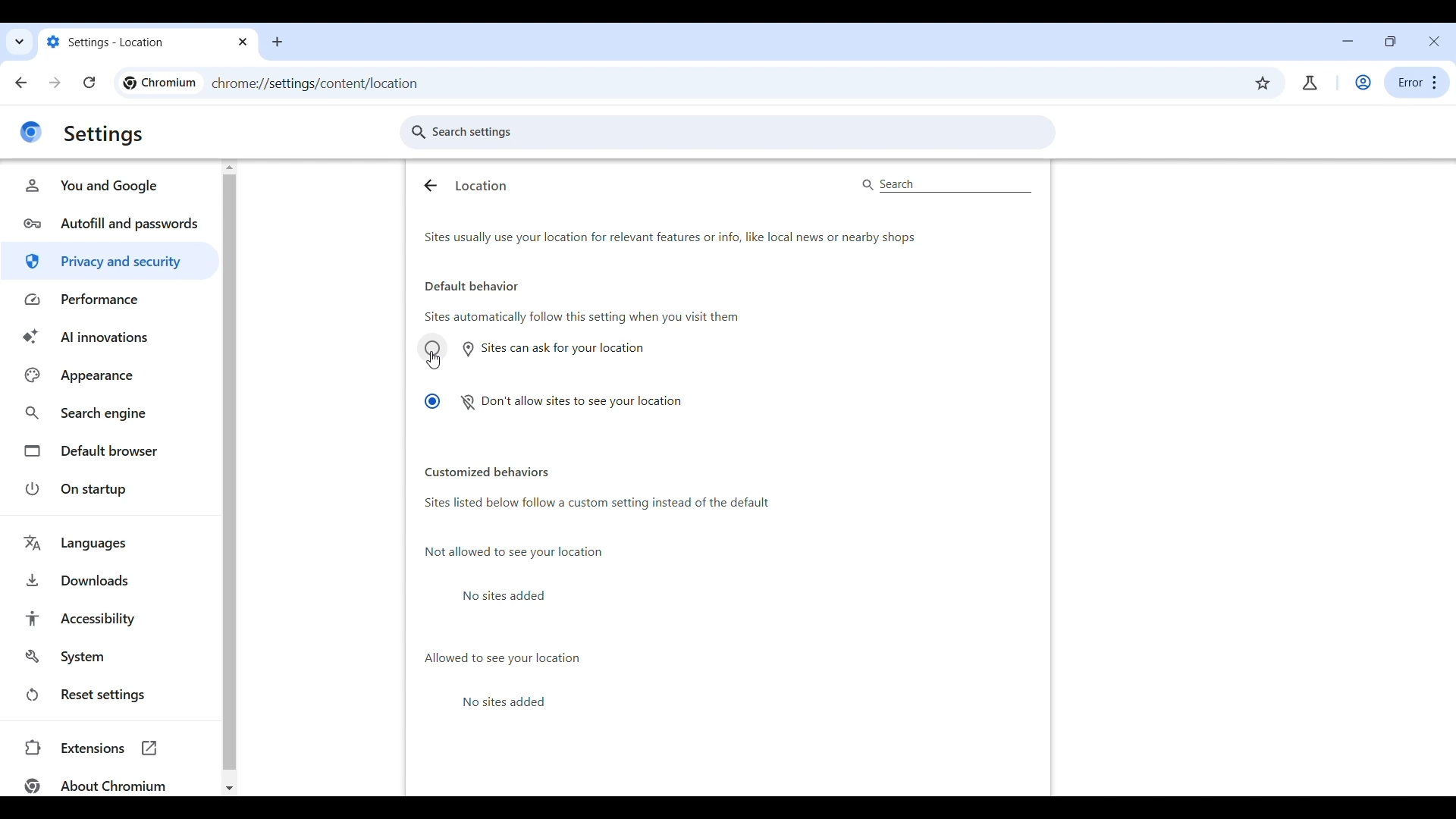 The image size is (1456, 819). What do you see at coordinates (719, 510) in the screenshot?
I see `sites listed below follow a custom setting instead of the default` at bounding box center [719, 510].